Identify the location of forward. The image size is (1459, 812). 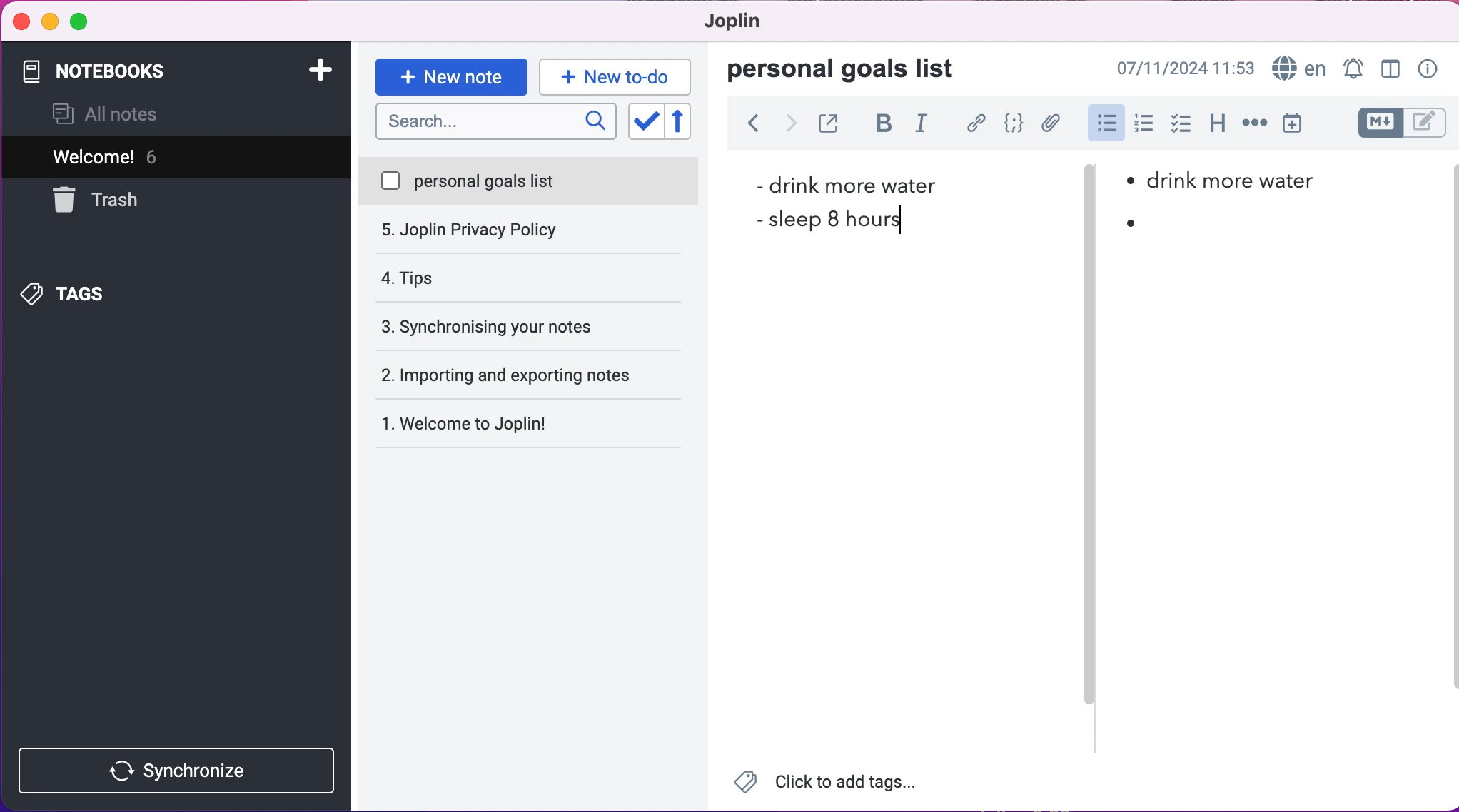
(792, 126).